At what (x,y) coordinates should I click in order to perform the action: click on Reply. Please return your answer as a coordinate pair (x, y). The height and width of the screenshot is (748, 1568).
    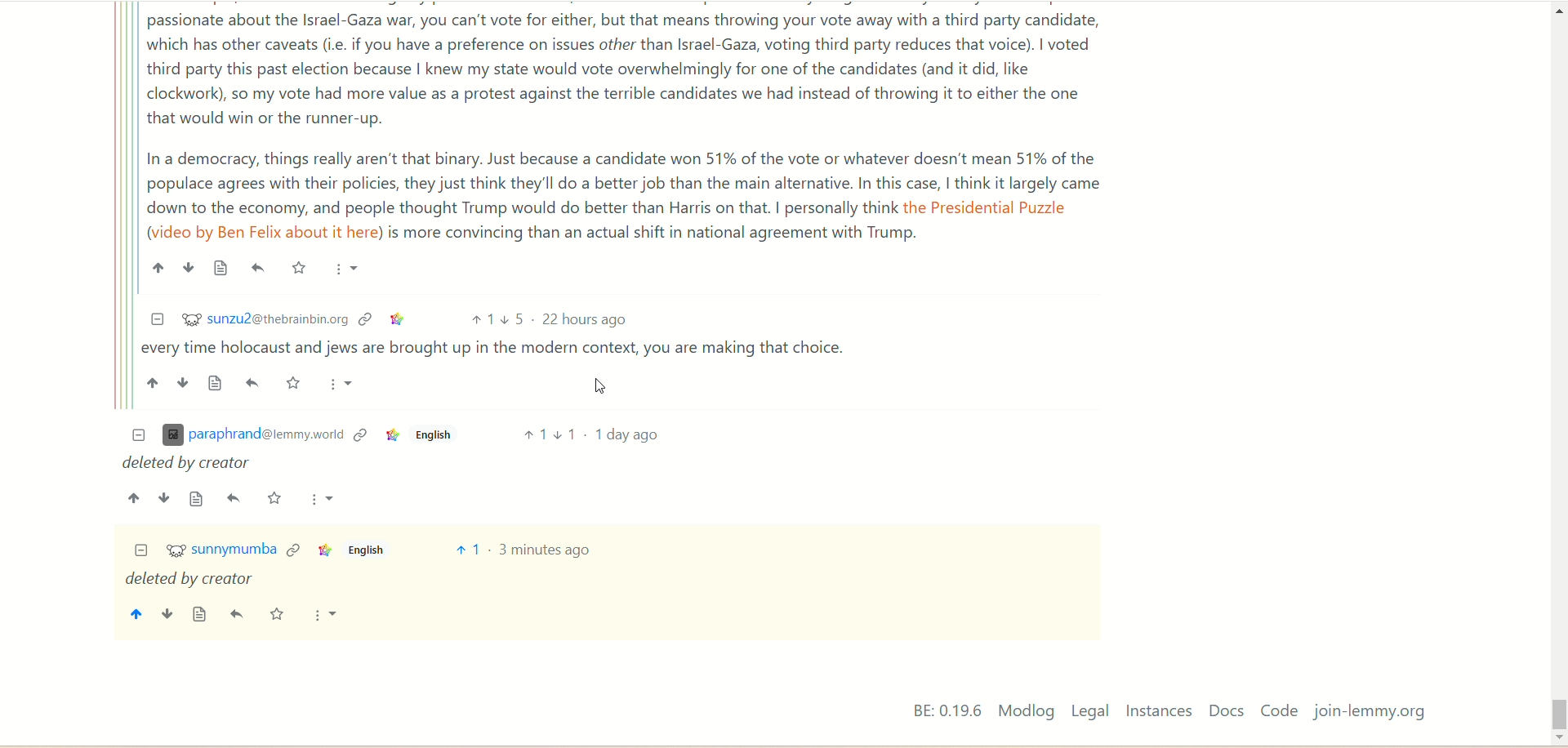
    Looking at the image, I should click on (259, 268).